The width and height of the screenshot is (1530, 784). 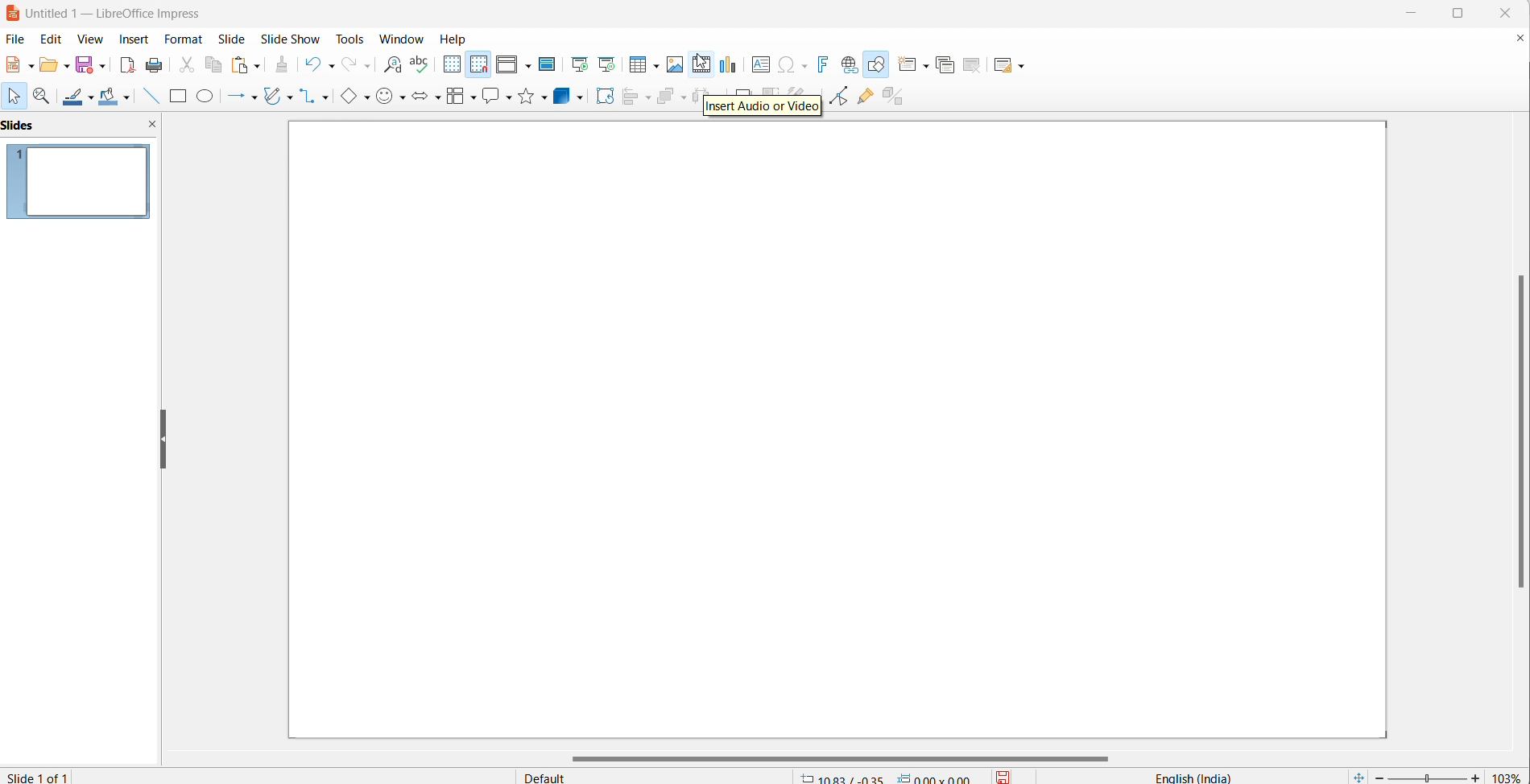 What do you see at coordinates (838, 756) in the screenshot?
I see `horizontal scroll bar` at bounding box center [838, 756].